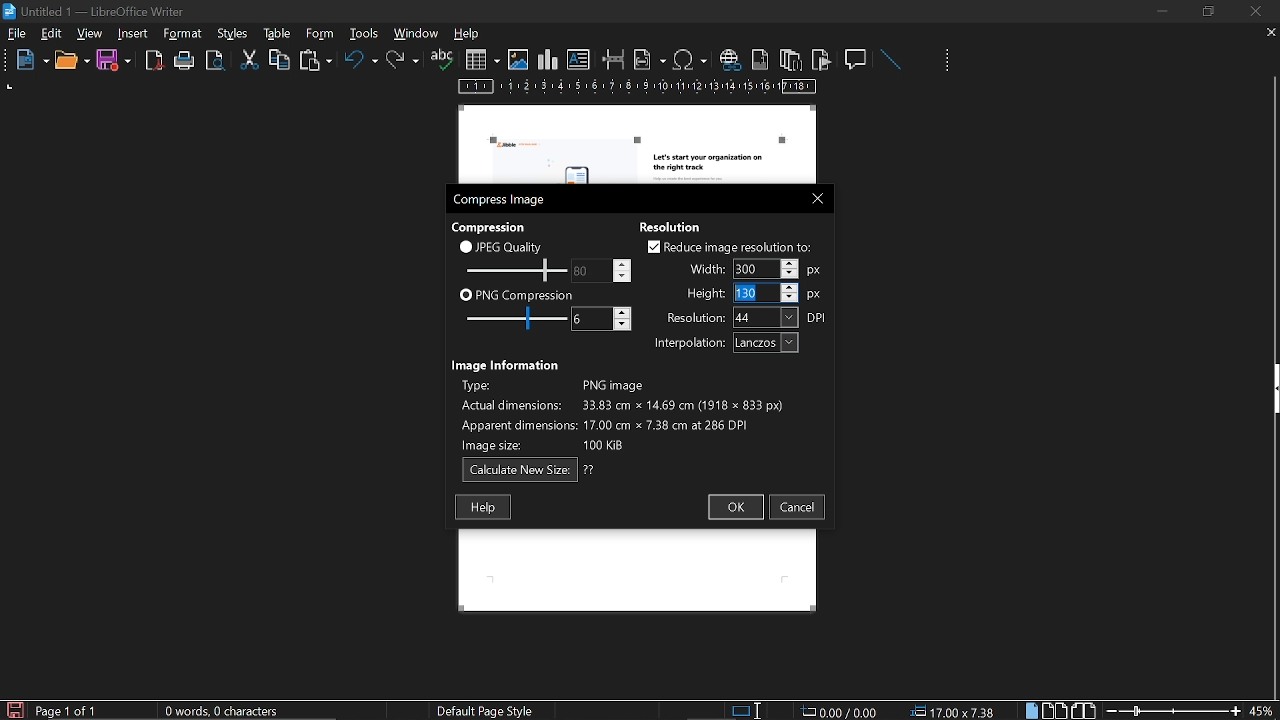 This screenshot has height=720, width=1280. What do you see at coordinates (366, 33) in the screenshot?
I see `form` at bounding box center [366, 33].